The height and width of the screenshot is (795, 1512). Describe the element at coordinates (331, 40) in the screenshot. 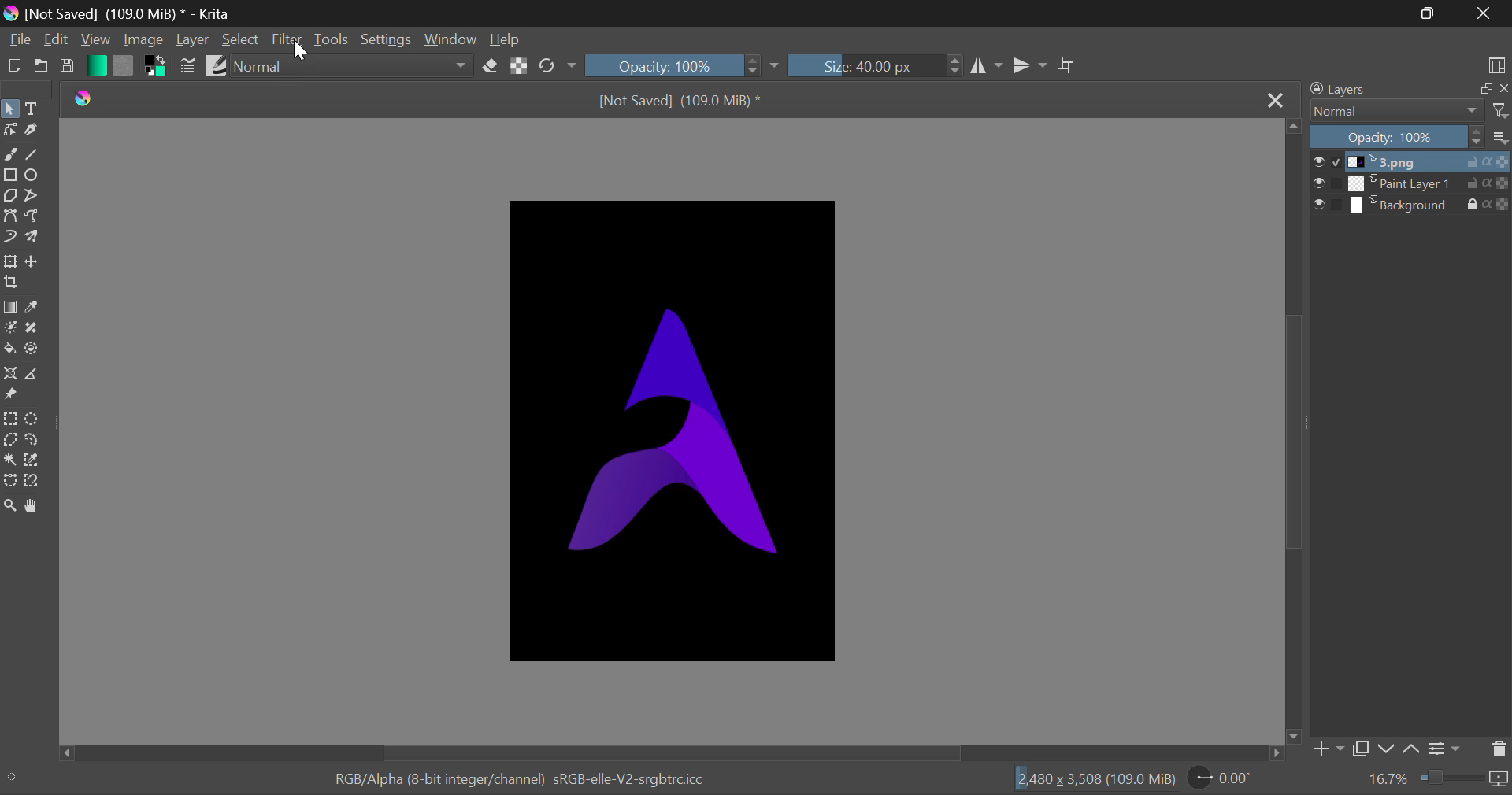

I see `Tools` at that location.